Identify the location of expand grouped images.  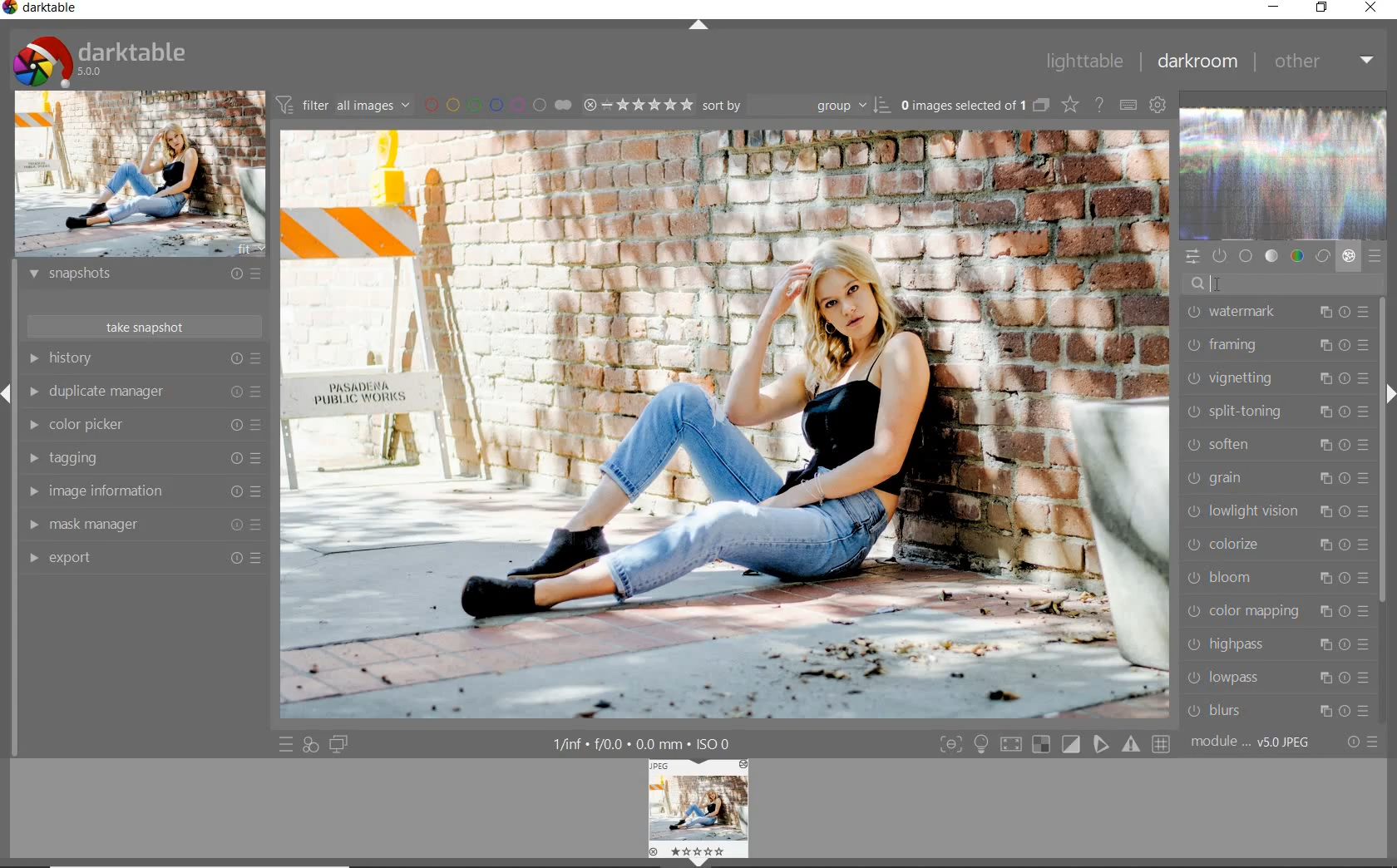
(975, 105).